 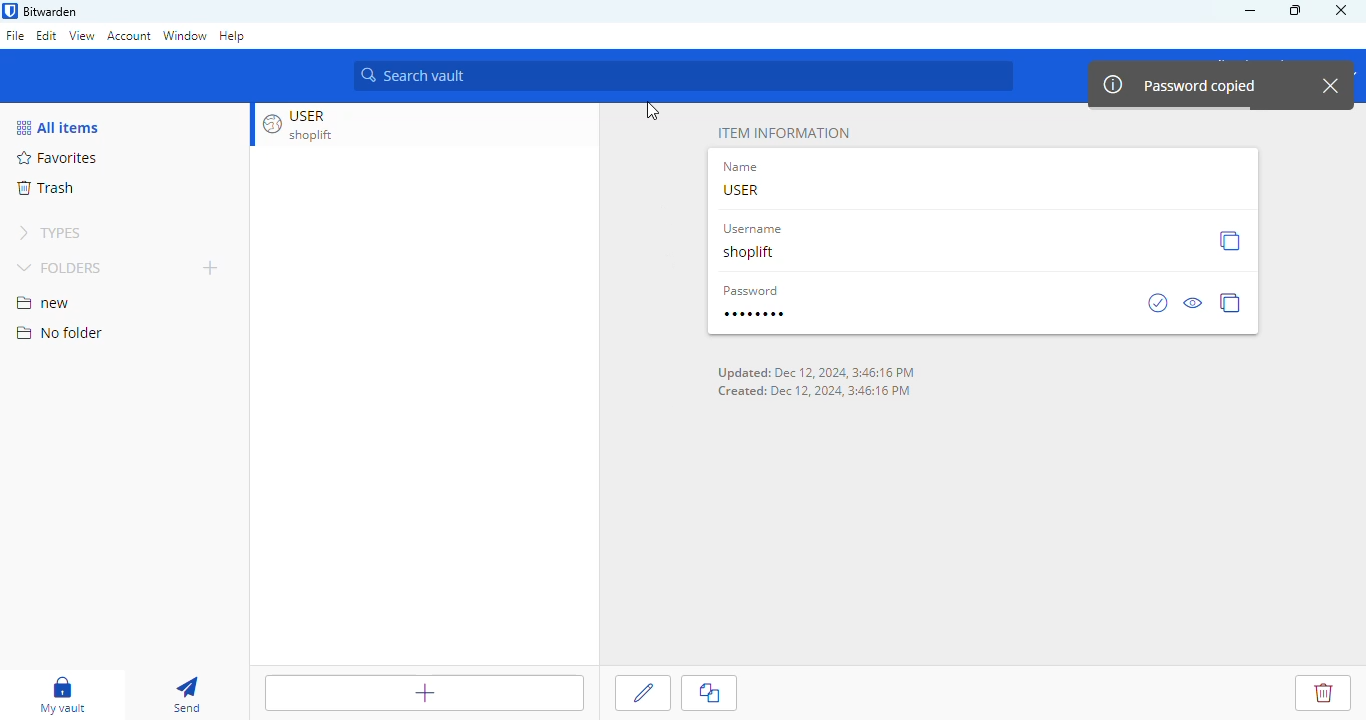 What do you see at coordinates (1340, 10) in the screenshot?
I see `close` at bounding box center [1340, 10].